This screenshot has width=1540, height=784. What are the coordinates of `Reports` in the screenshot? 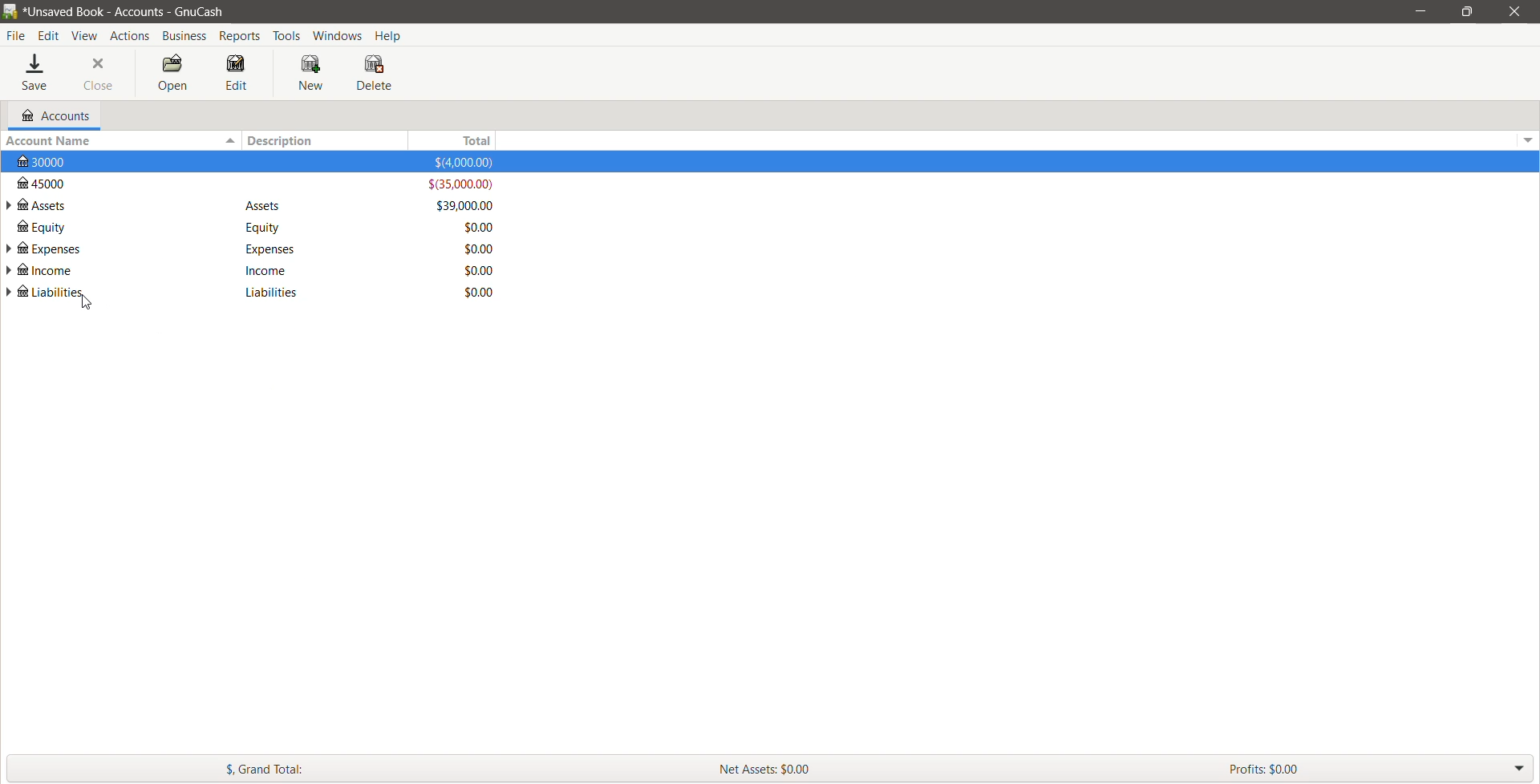 It's located at (241, 36).